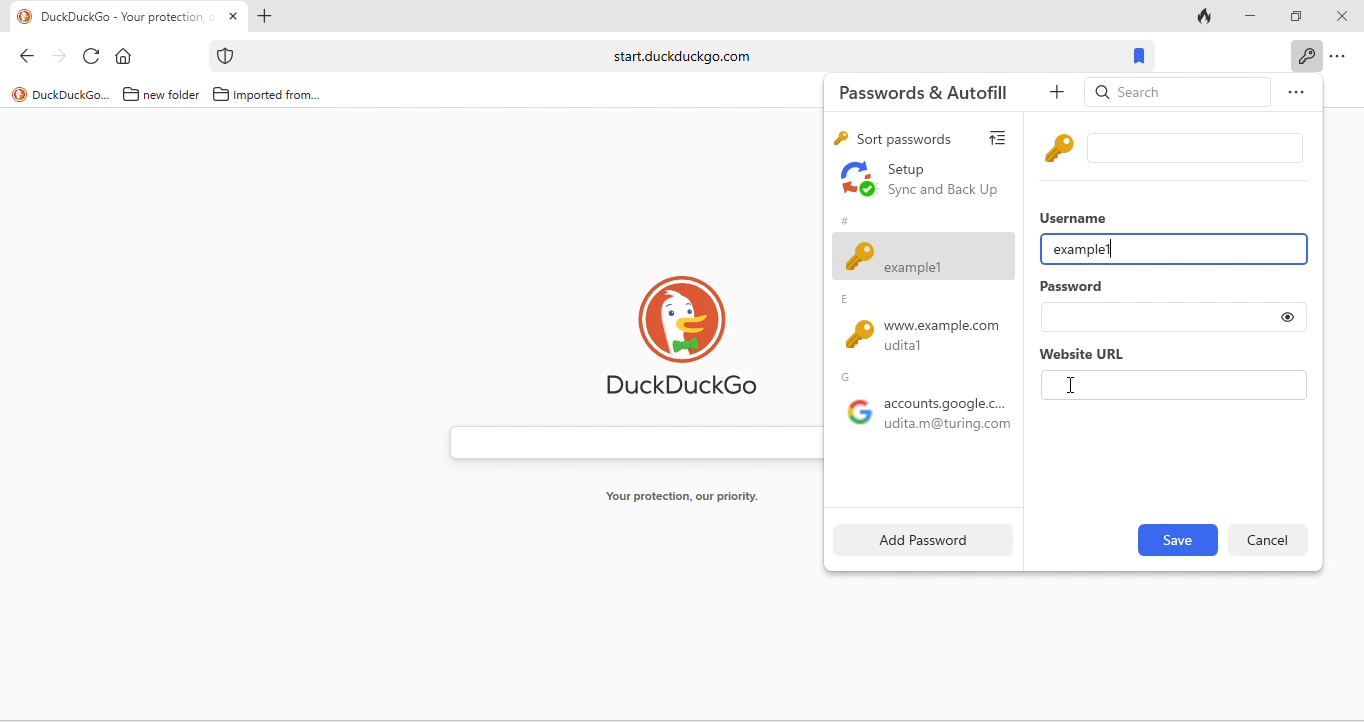 The height and width of the screenshot is (722, 1364). I want to click on example1, so click(1083, 248).